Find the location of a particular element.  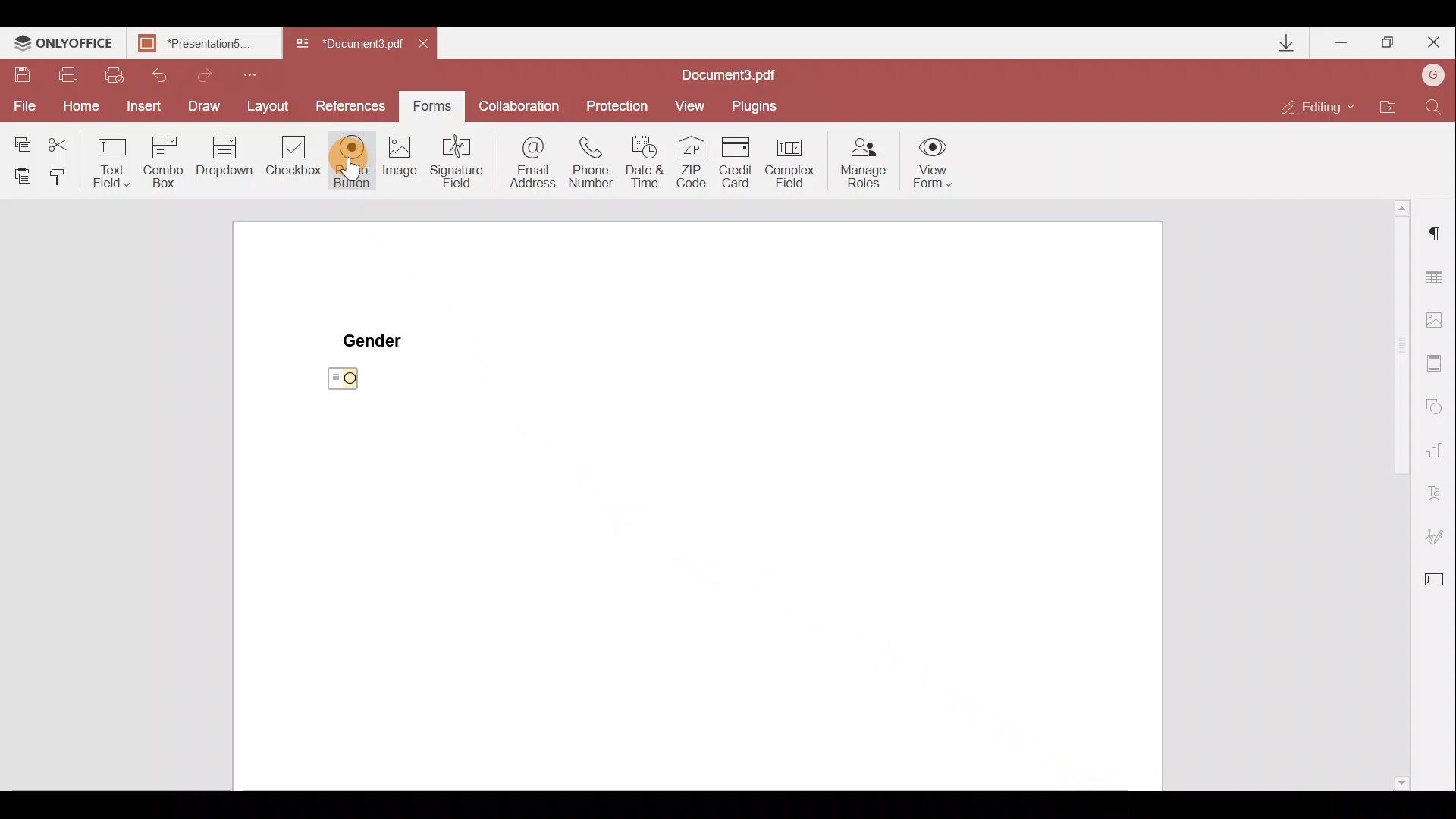

Document name is located at coordinates (202, 43).